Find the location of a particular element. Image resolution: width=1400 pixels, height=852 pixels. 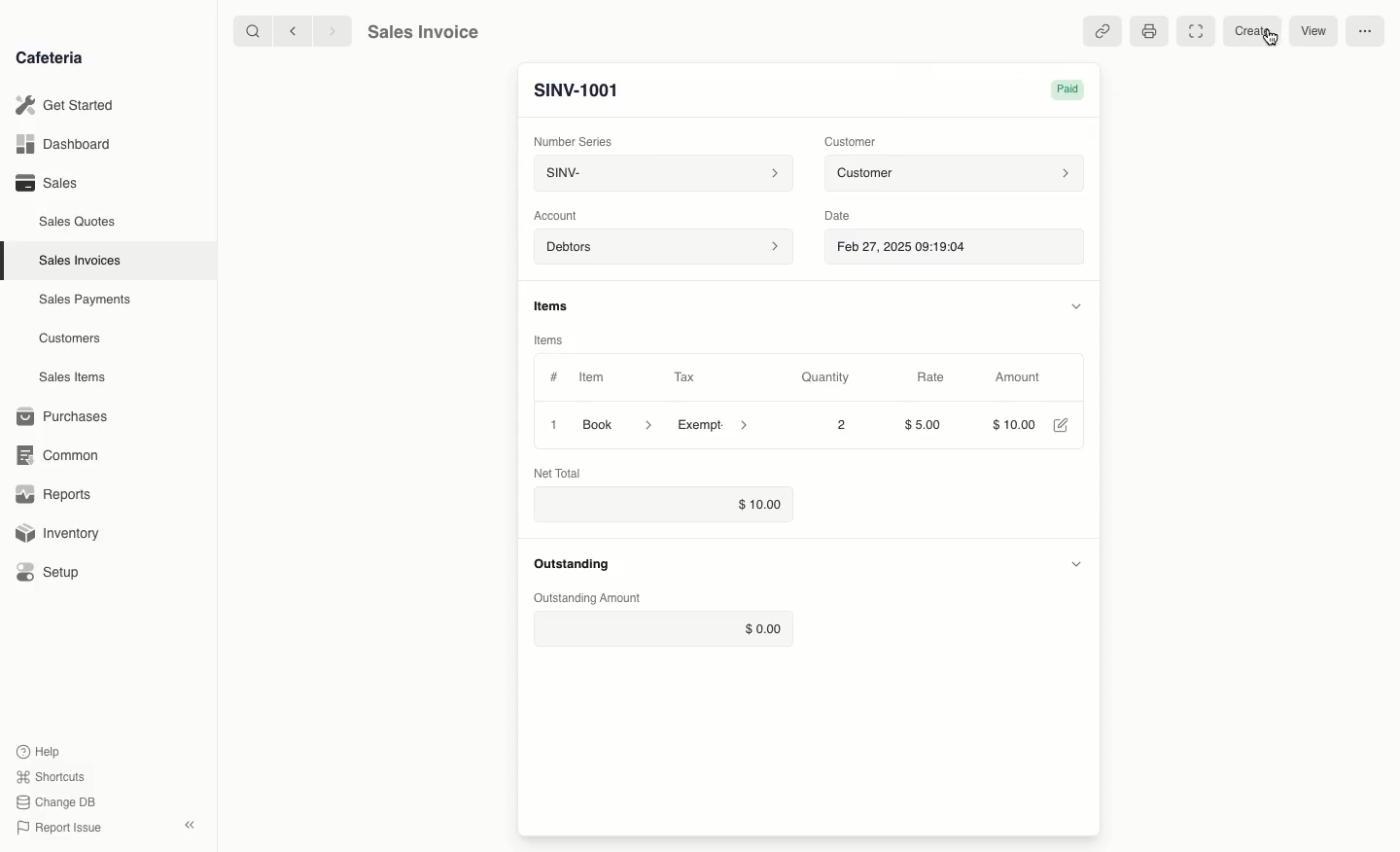

Full width toggle is located at coordinates (1195, 30).